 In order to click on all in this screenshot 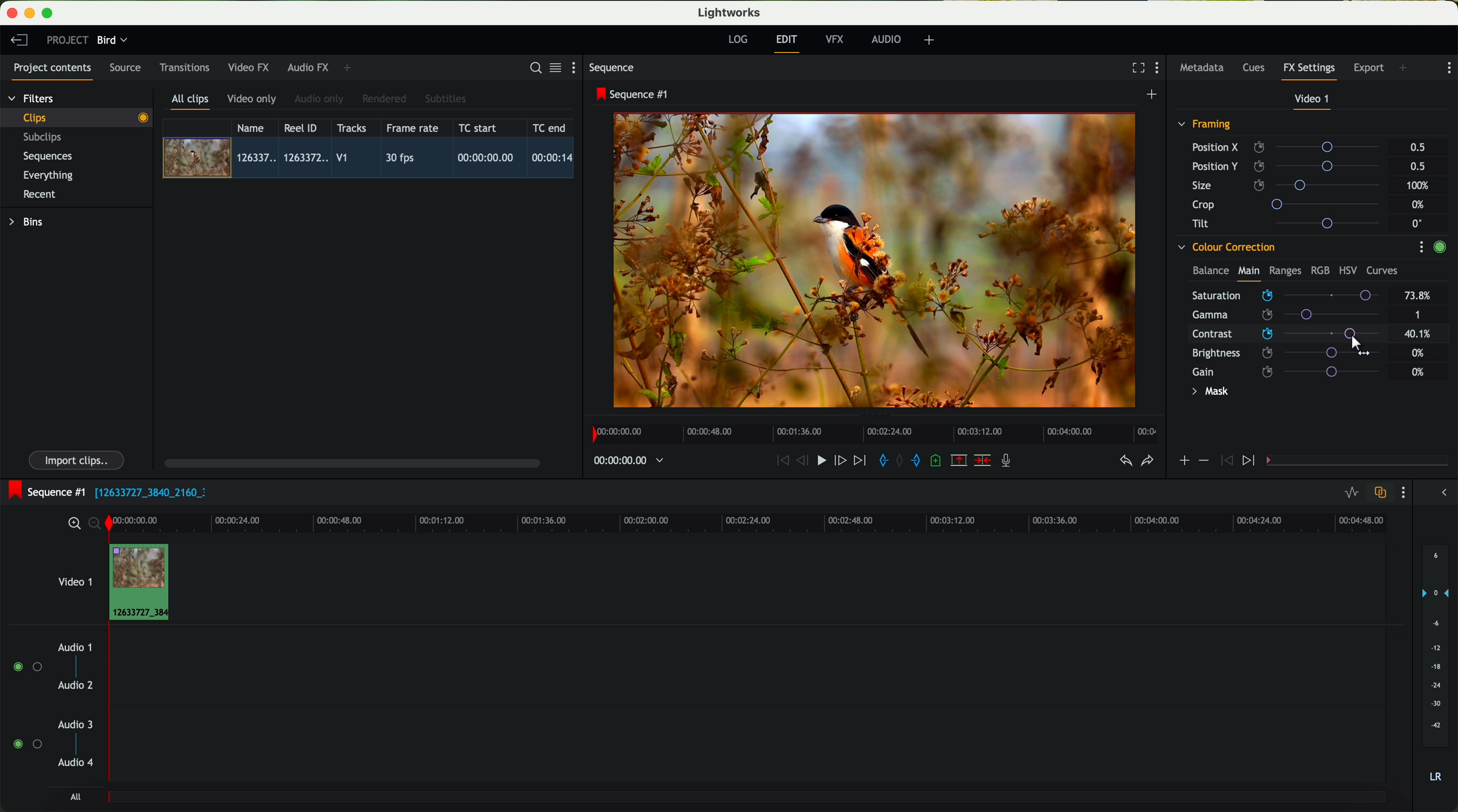, I will do `click(75, 797)`.